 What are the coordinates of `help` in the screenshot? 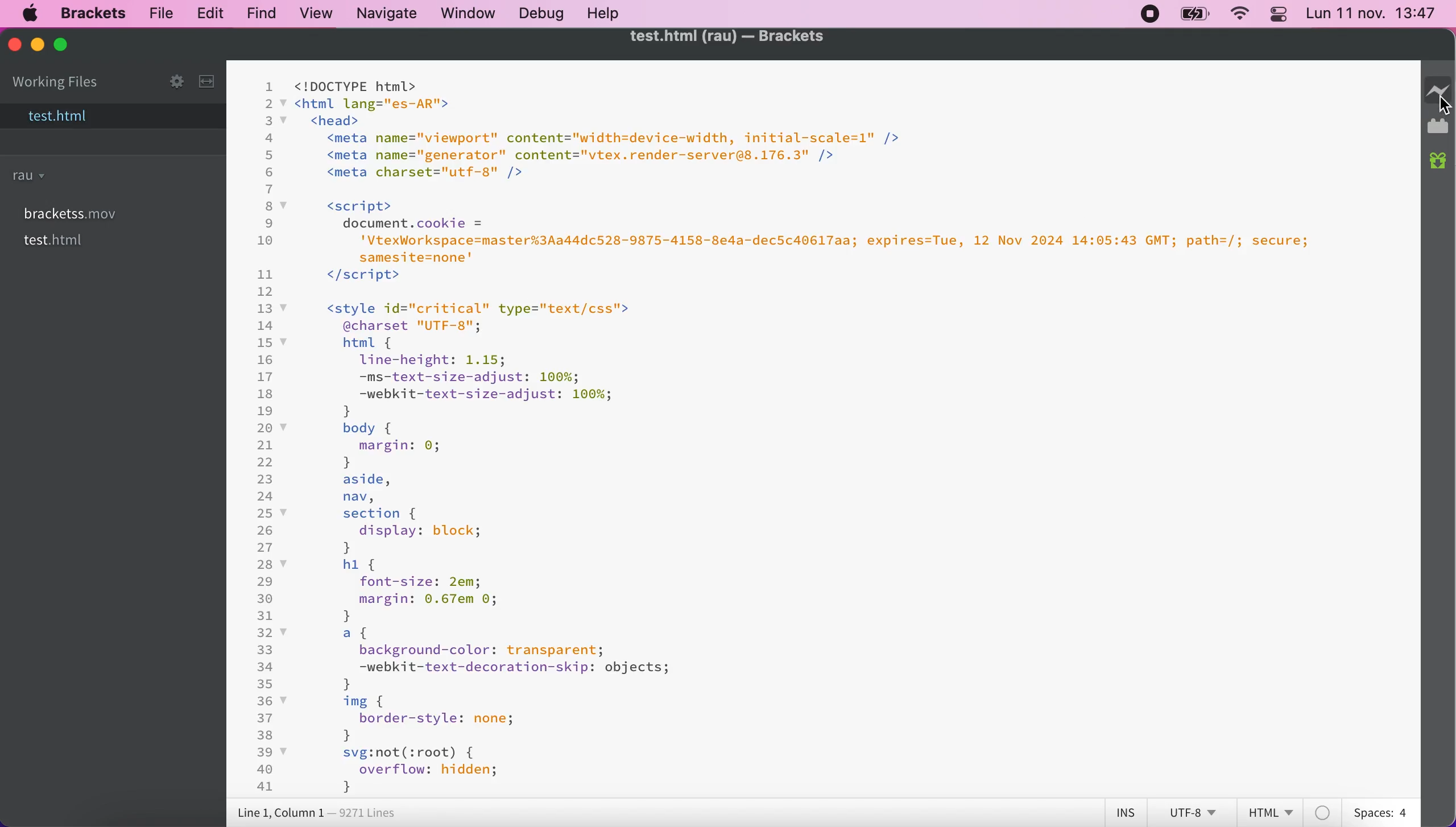 It's located at (609, 13).